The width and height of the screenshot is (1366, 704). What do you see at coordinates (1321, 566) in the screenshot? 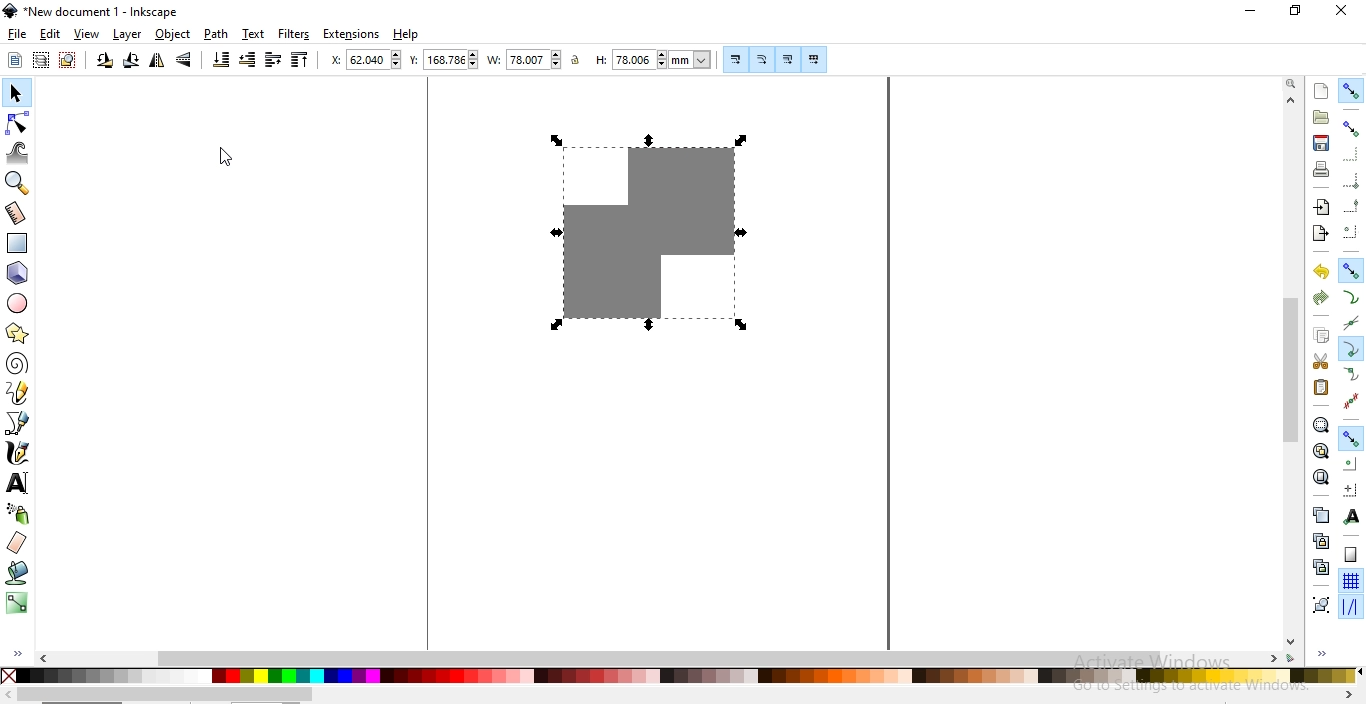
I see `cut the selected clones` at bounding box center [1321, 566].